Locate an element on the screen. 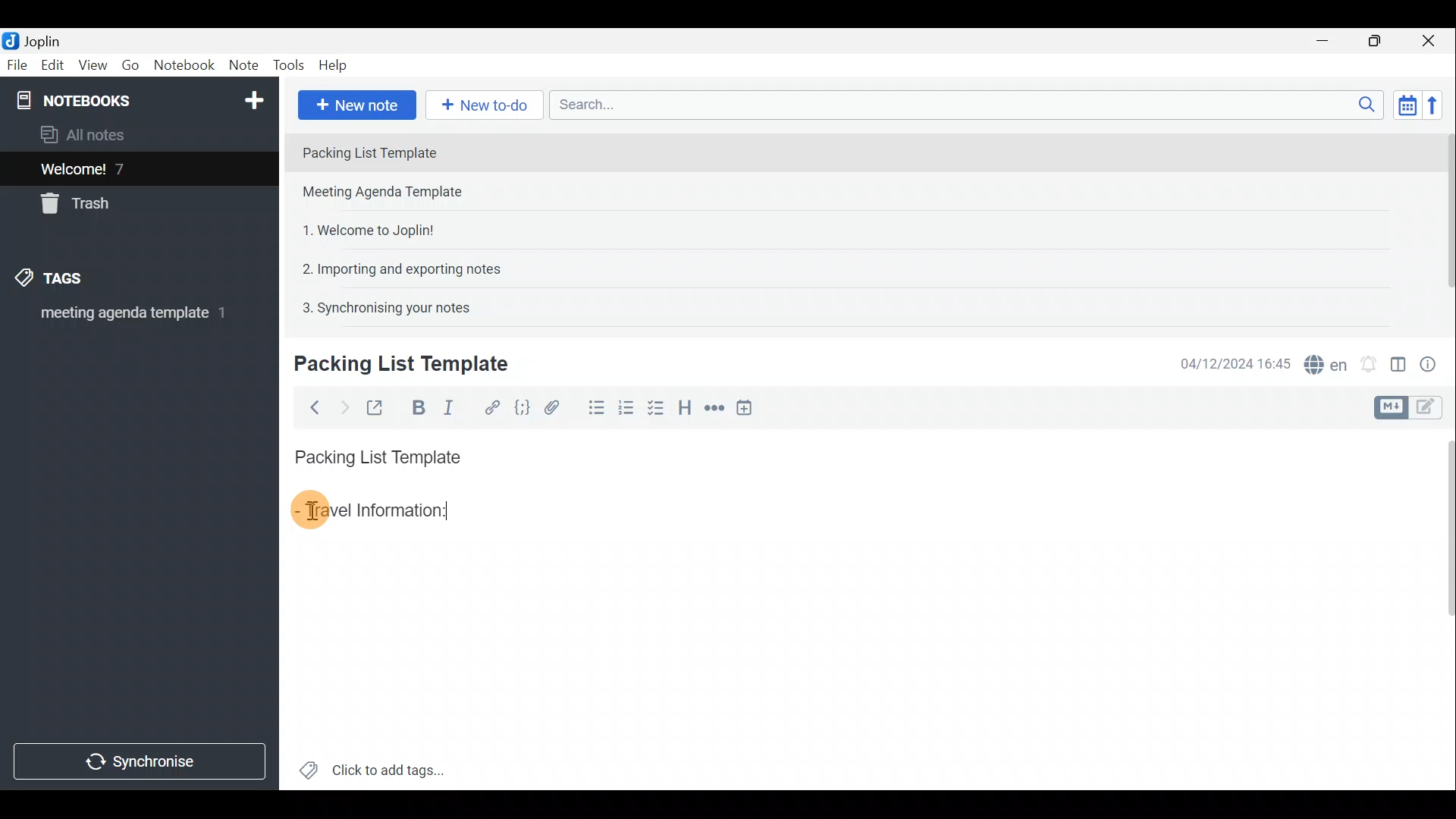  Horizontal rule is located at coordinates (712, 408).